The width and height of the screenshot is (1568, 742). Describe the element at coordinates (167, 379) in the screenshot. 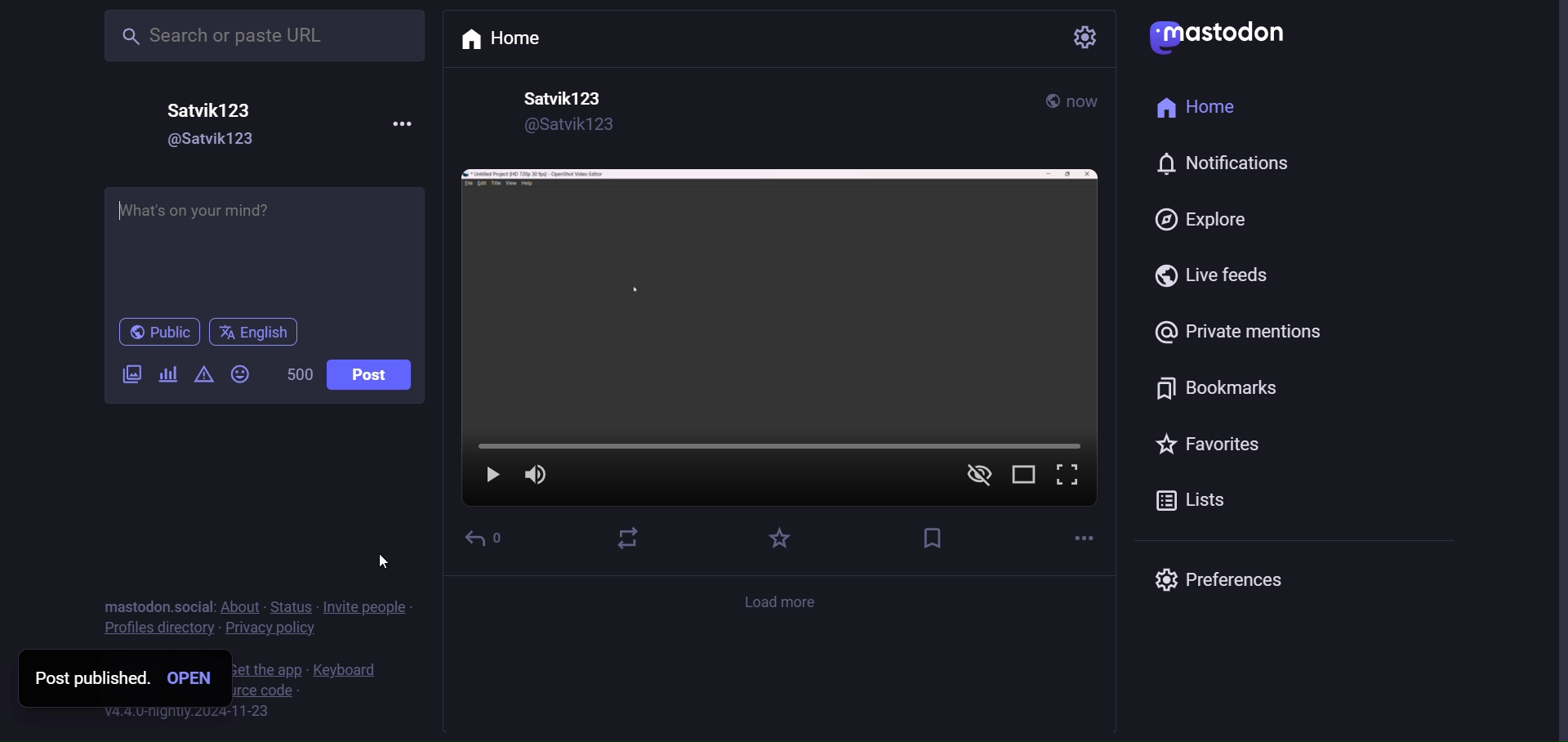

I see `poll` at that location.